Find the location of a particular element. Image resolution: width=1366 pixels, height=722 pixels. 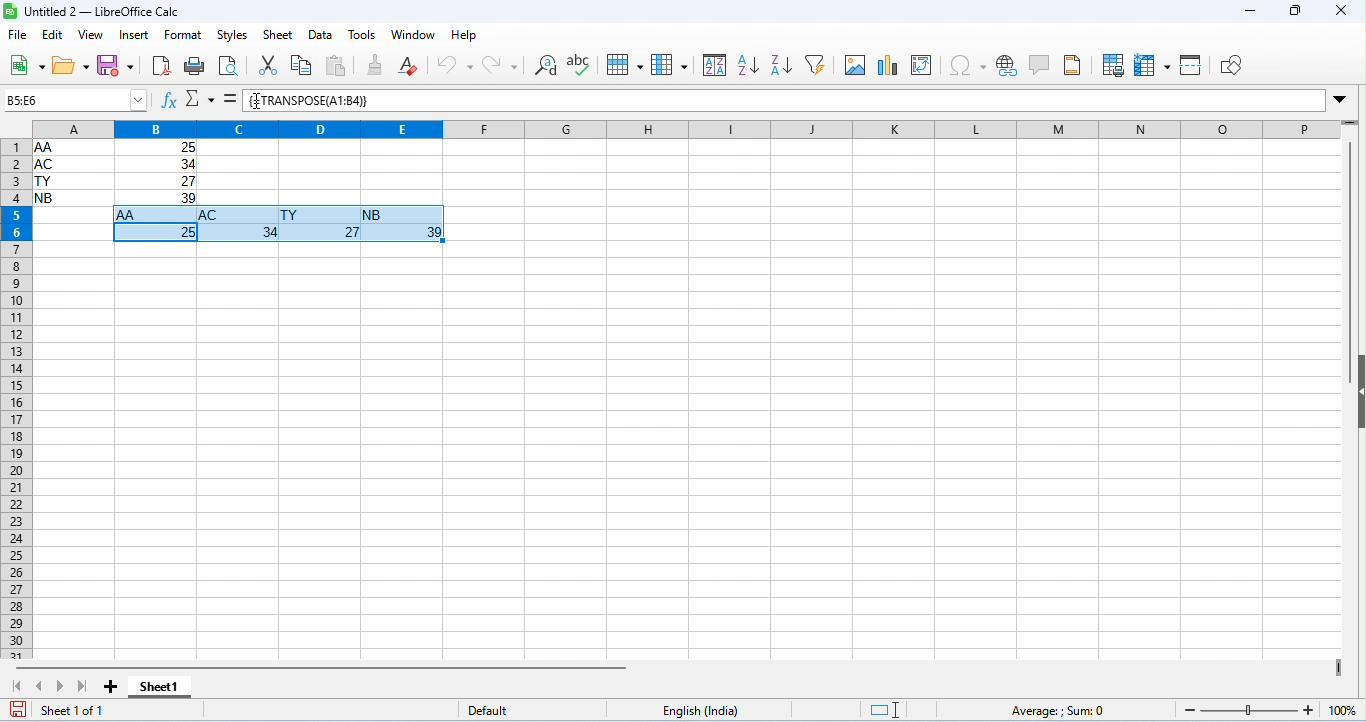

insert / add pivot table is located at coordinates (925, 66).